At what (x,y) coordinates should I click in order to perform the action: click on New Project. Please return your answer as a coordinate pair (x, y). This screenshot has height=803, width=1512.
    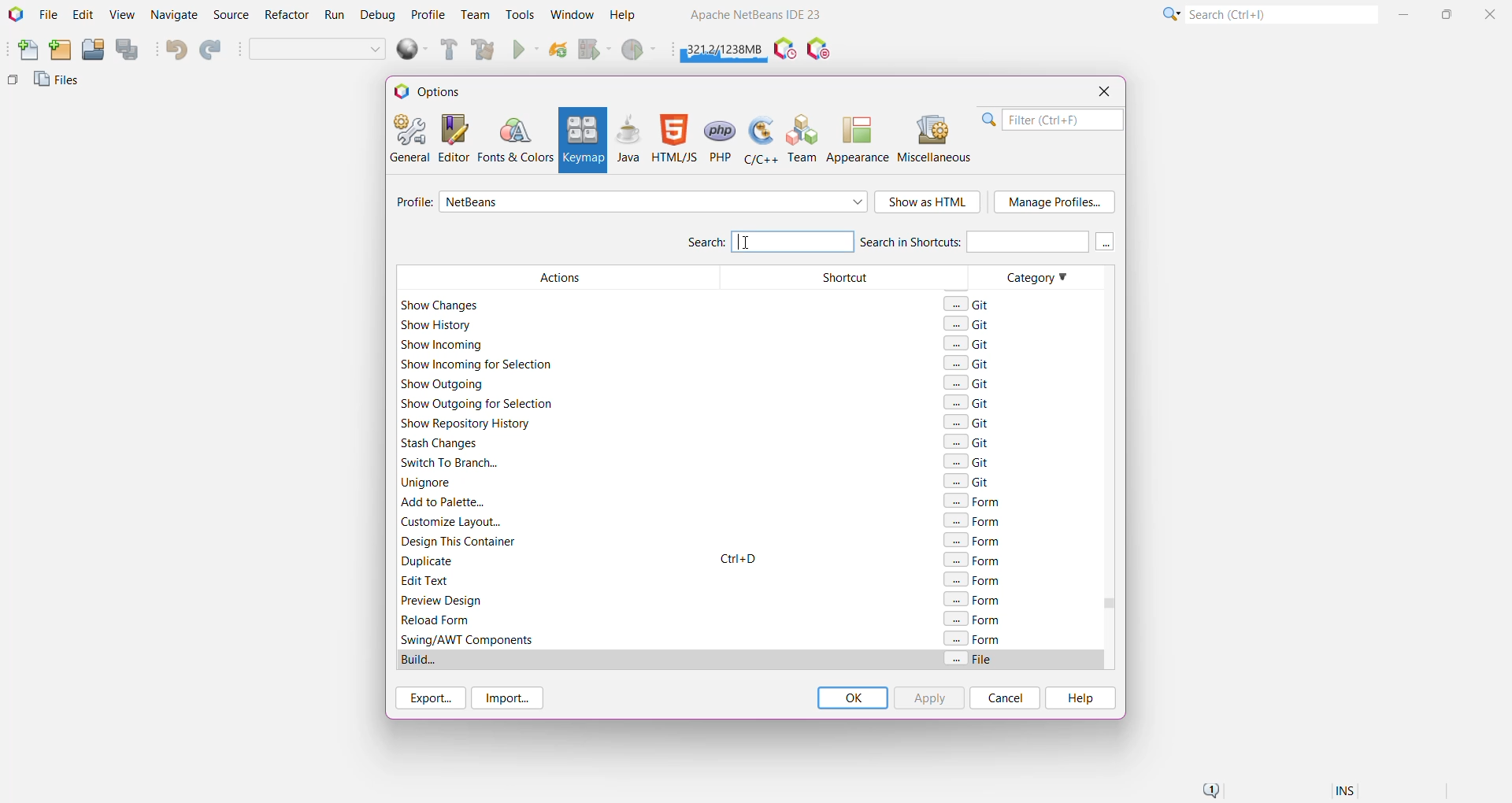
    Looking at the image, I should click on (60, 50).